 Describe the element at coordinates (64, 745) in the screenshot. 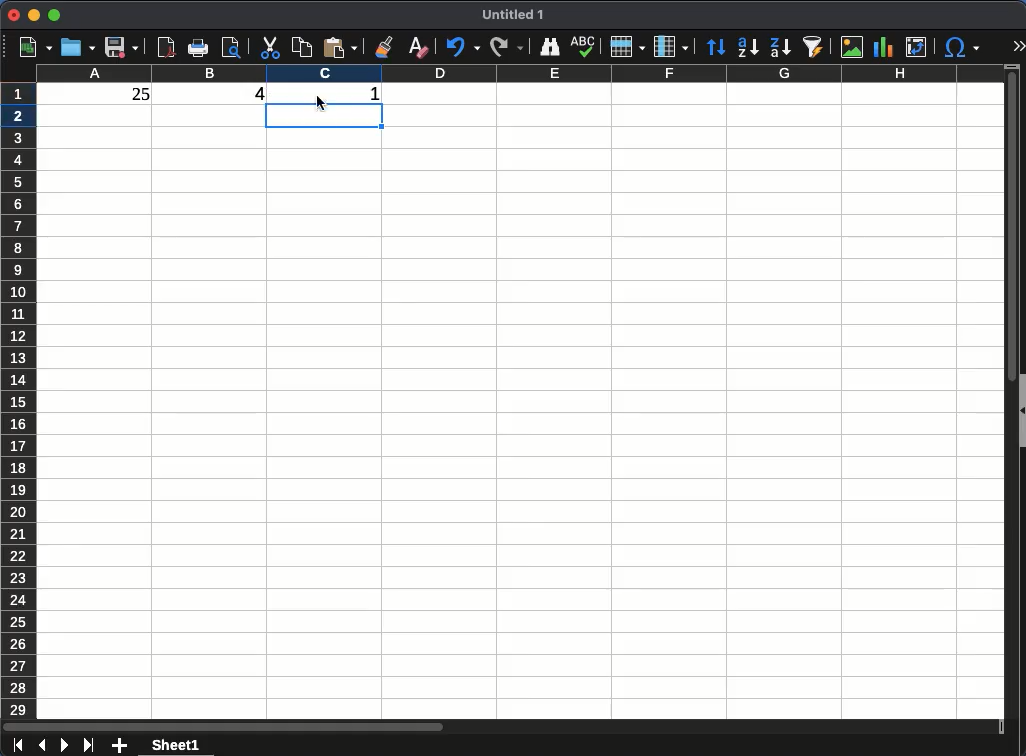

I see `next sheet` at that location.